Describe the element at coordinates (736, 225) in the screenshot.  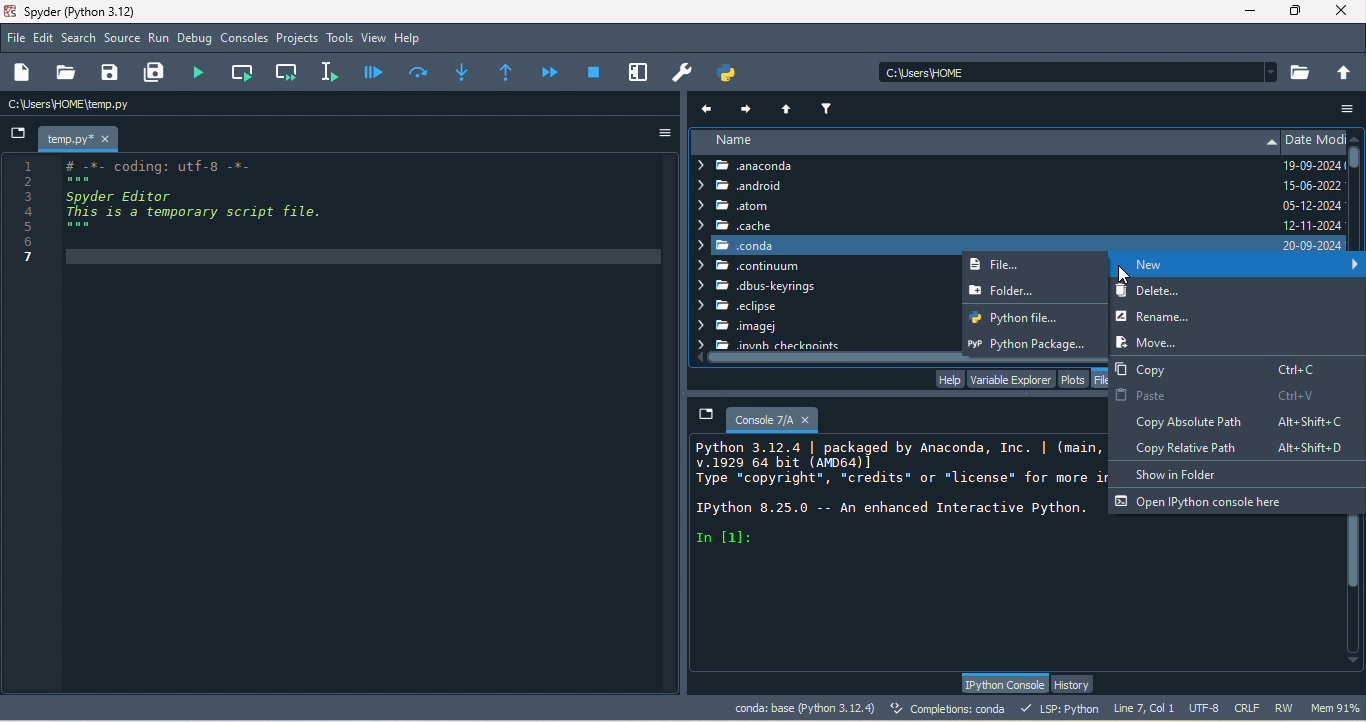
I see `cache` at that location.